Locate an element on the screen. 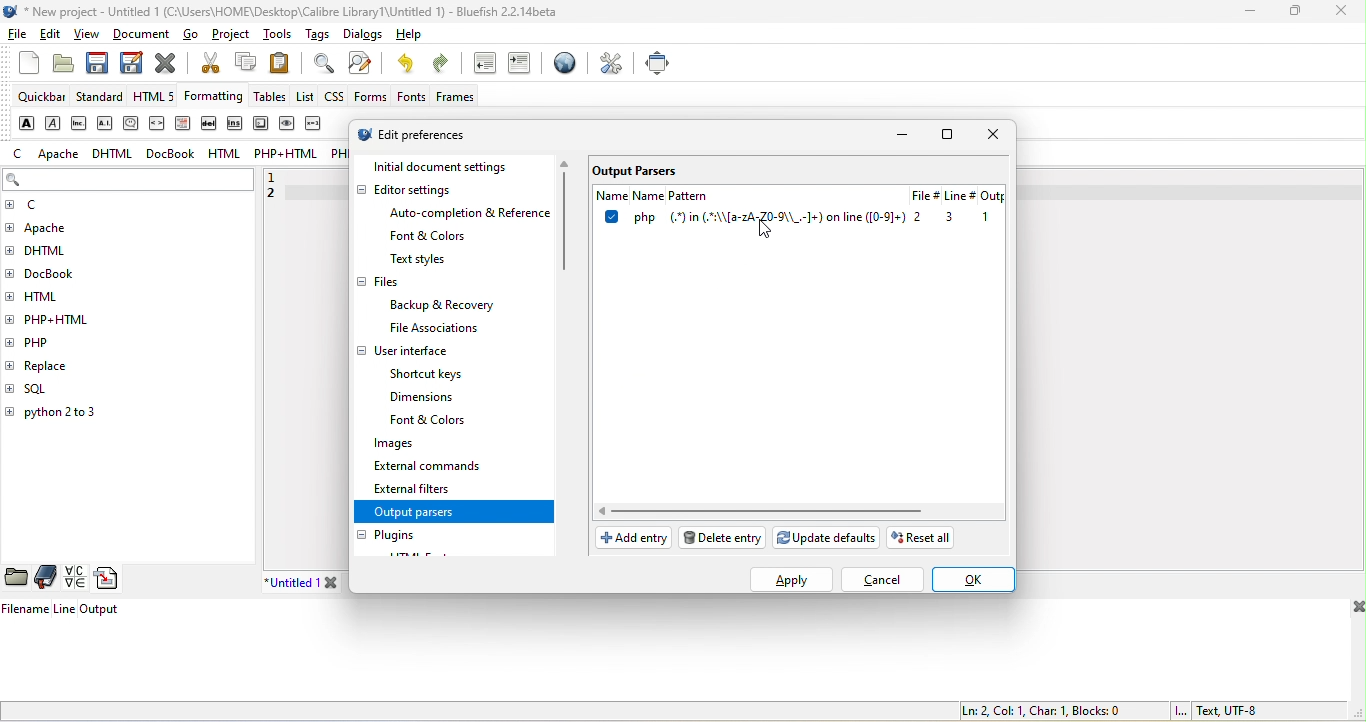 This screenshot has width=1366, height=722. bookmarks is located at coordinates (47, 577).